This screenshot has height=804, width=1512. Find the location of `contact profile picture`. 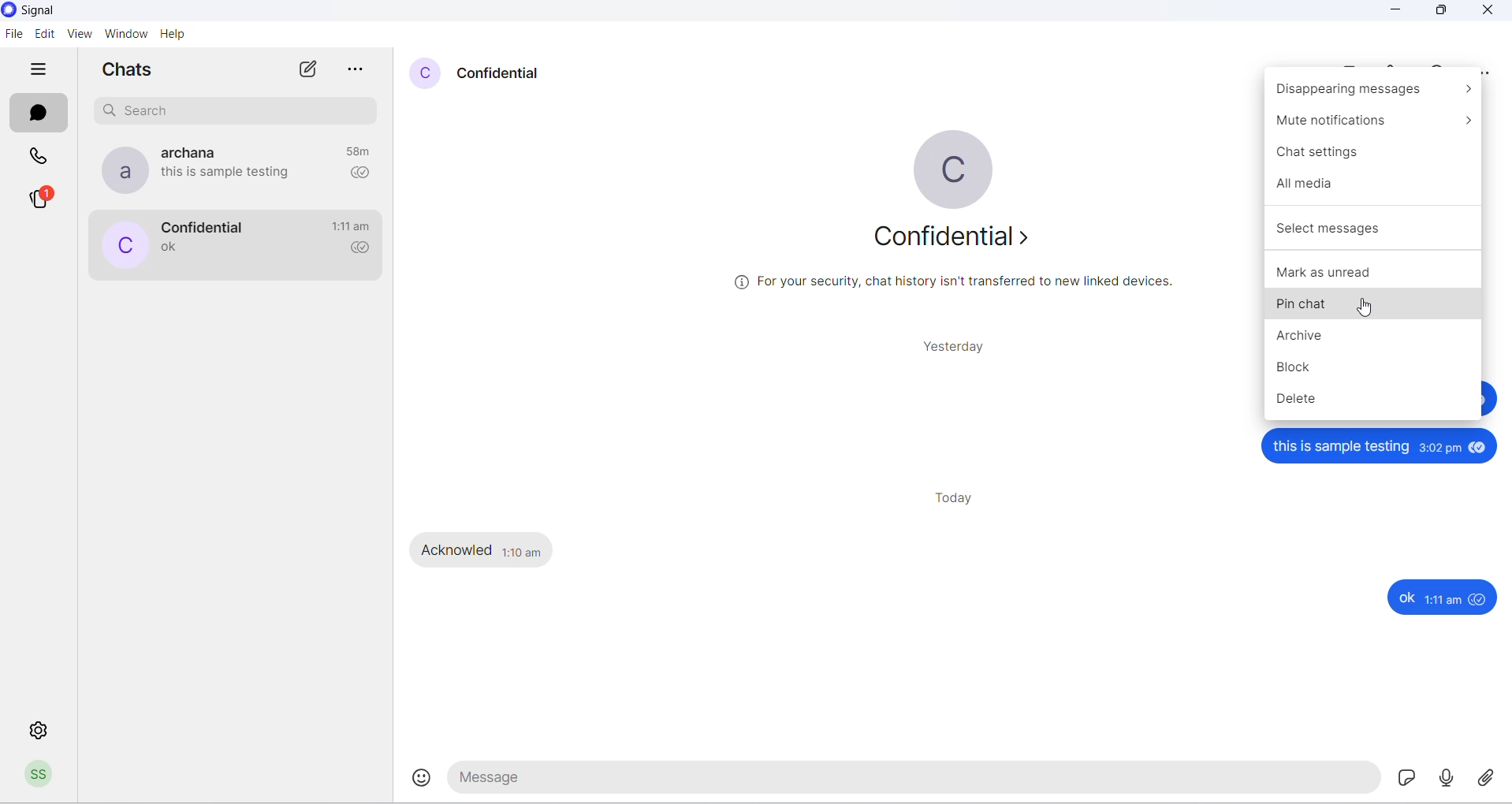

contact profile picture is located at coordinates (426, 73).